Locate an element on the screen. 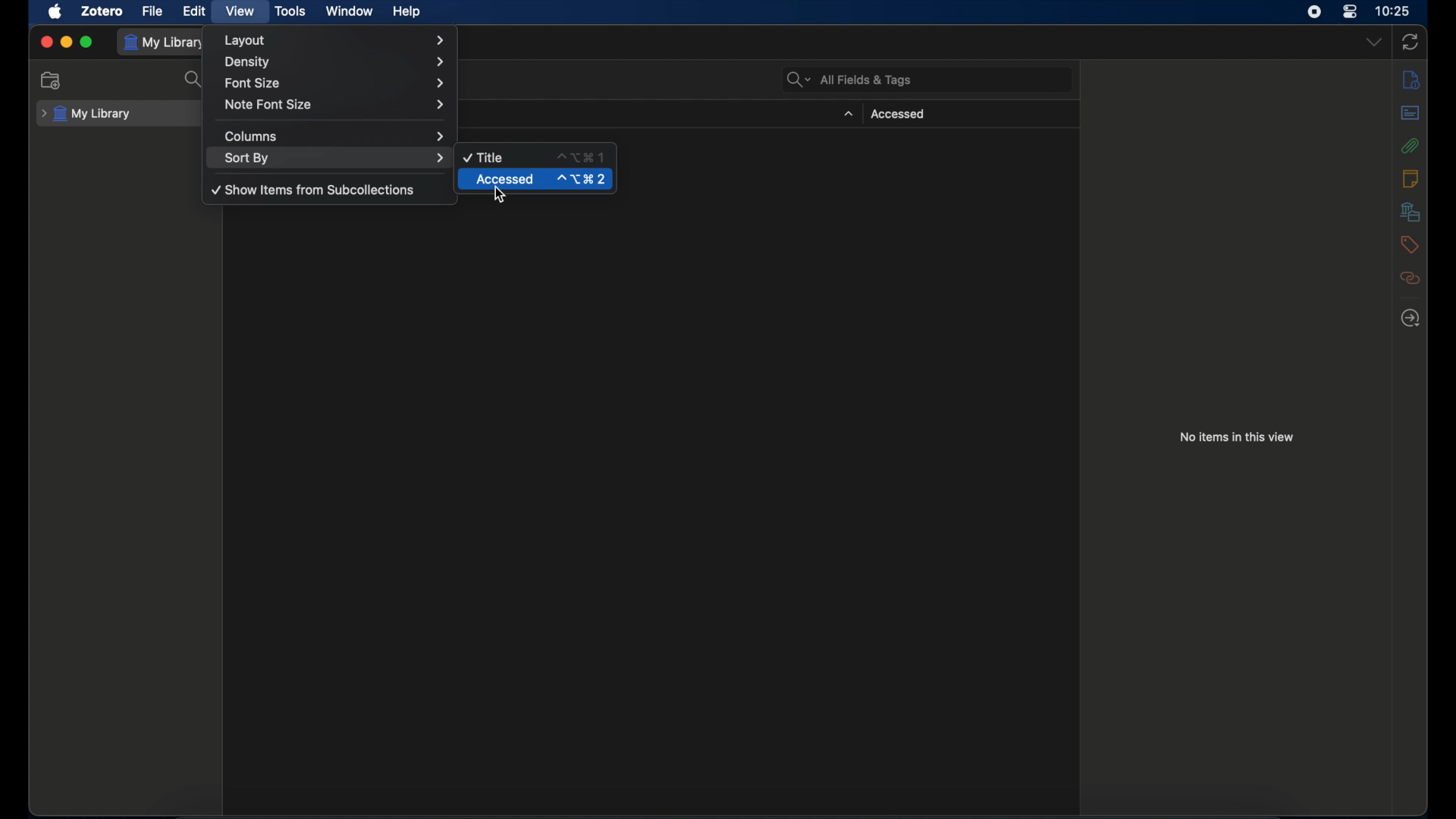 This screenshot has width=1456, height=819. my library is located at coordinates (86, 114).